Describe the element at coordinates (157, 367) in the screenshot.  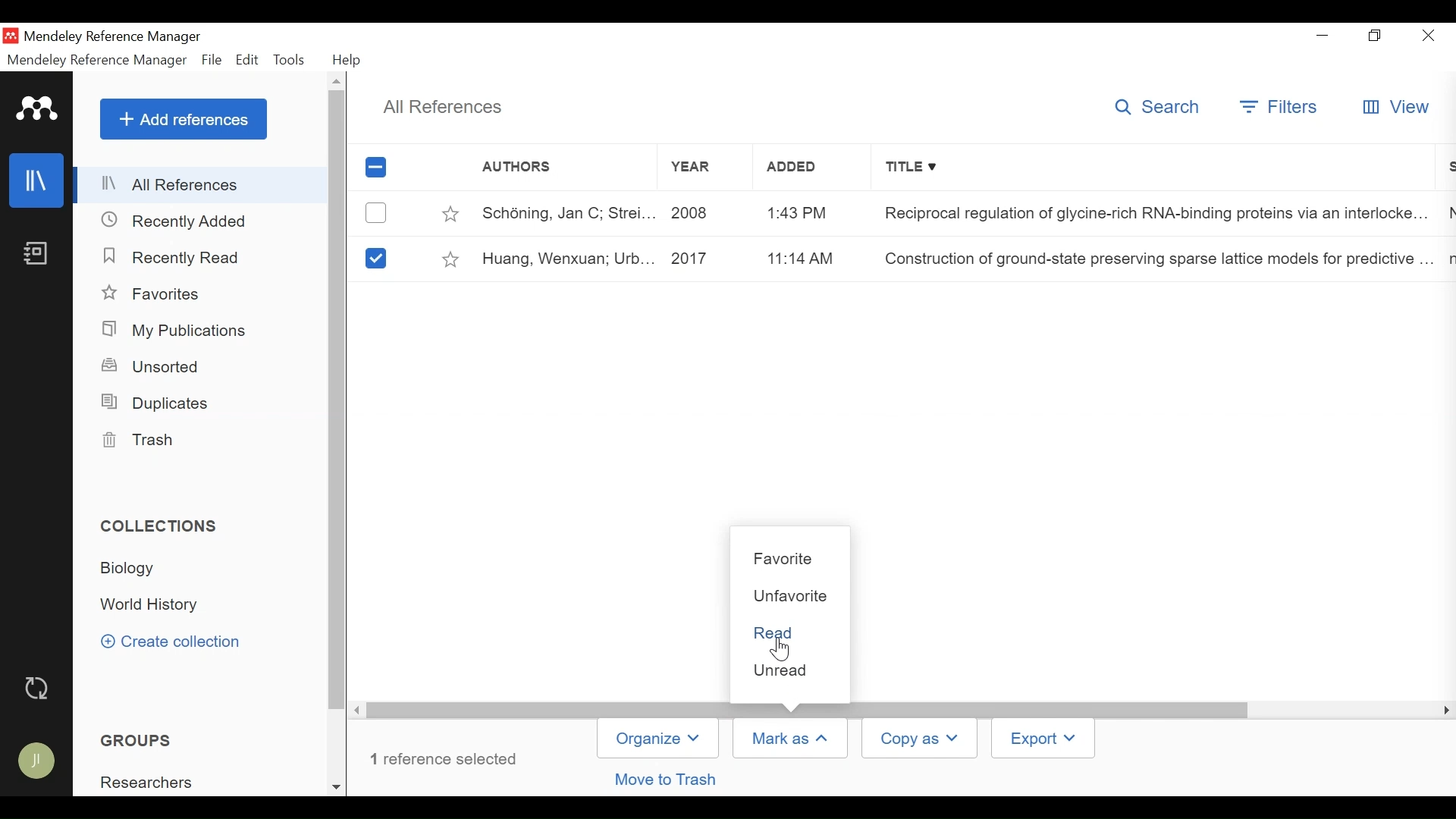
I see `Unsorted` at that location.